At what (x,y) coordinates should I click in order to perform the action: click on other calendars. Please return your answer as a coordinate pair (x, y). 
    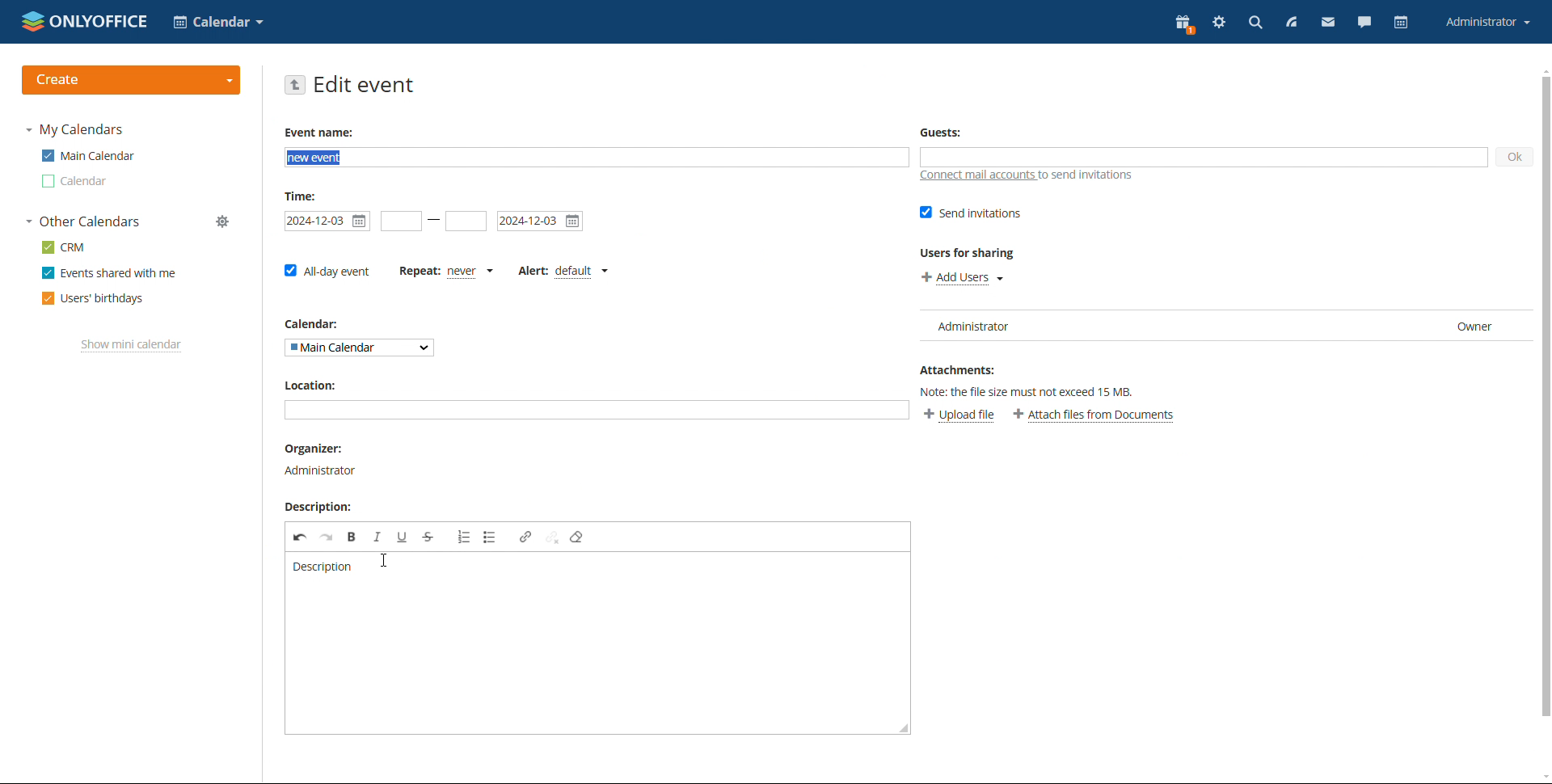
    Looking at the image, I should click on (82, 221).